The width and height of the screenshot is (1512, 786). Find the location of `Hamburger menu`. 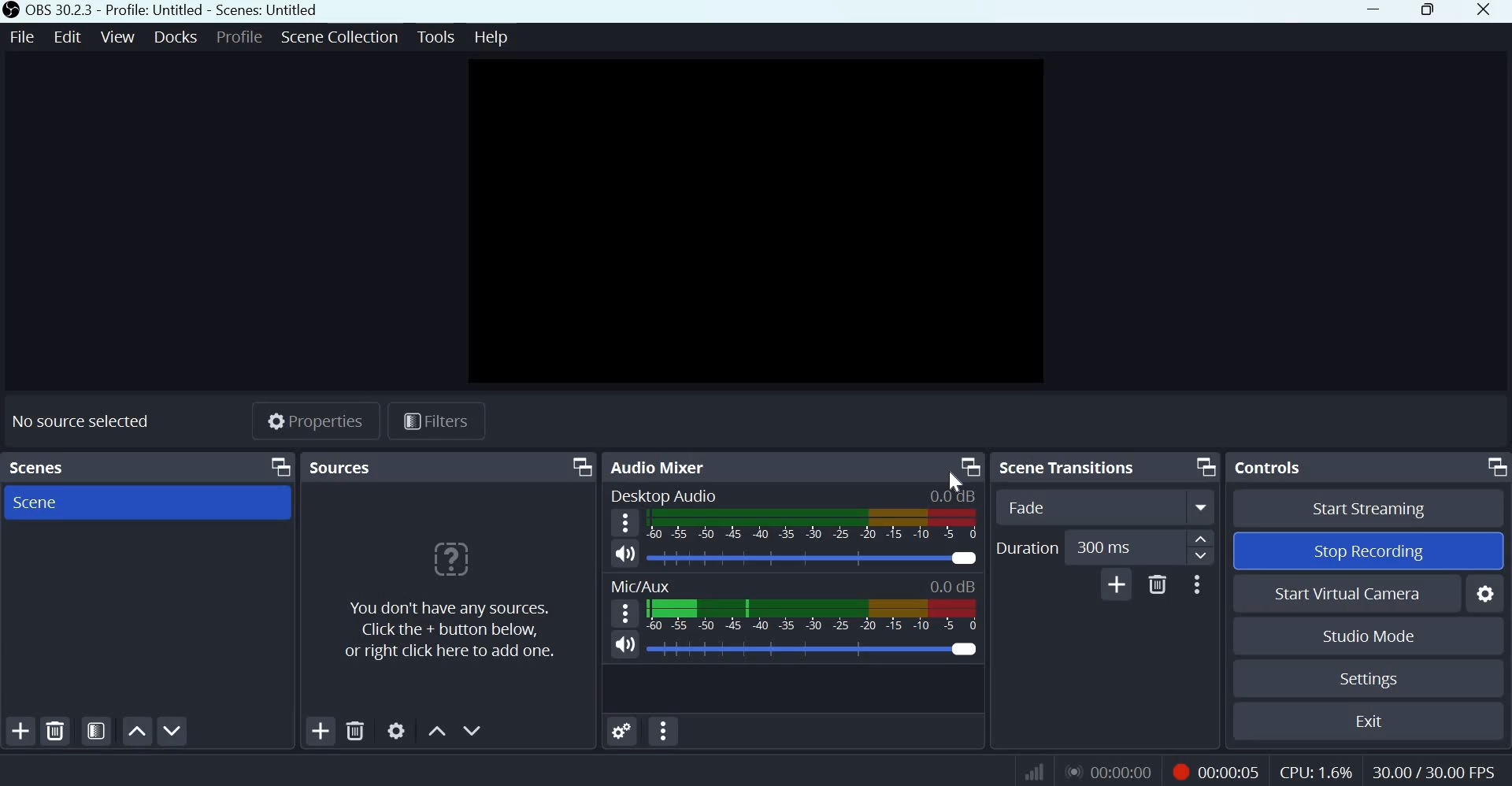

Hamburger menu is located at coordinates (625, 523).